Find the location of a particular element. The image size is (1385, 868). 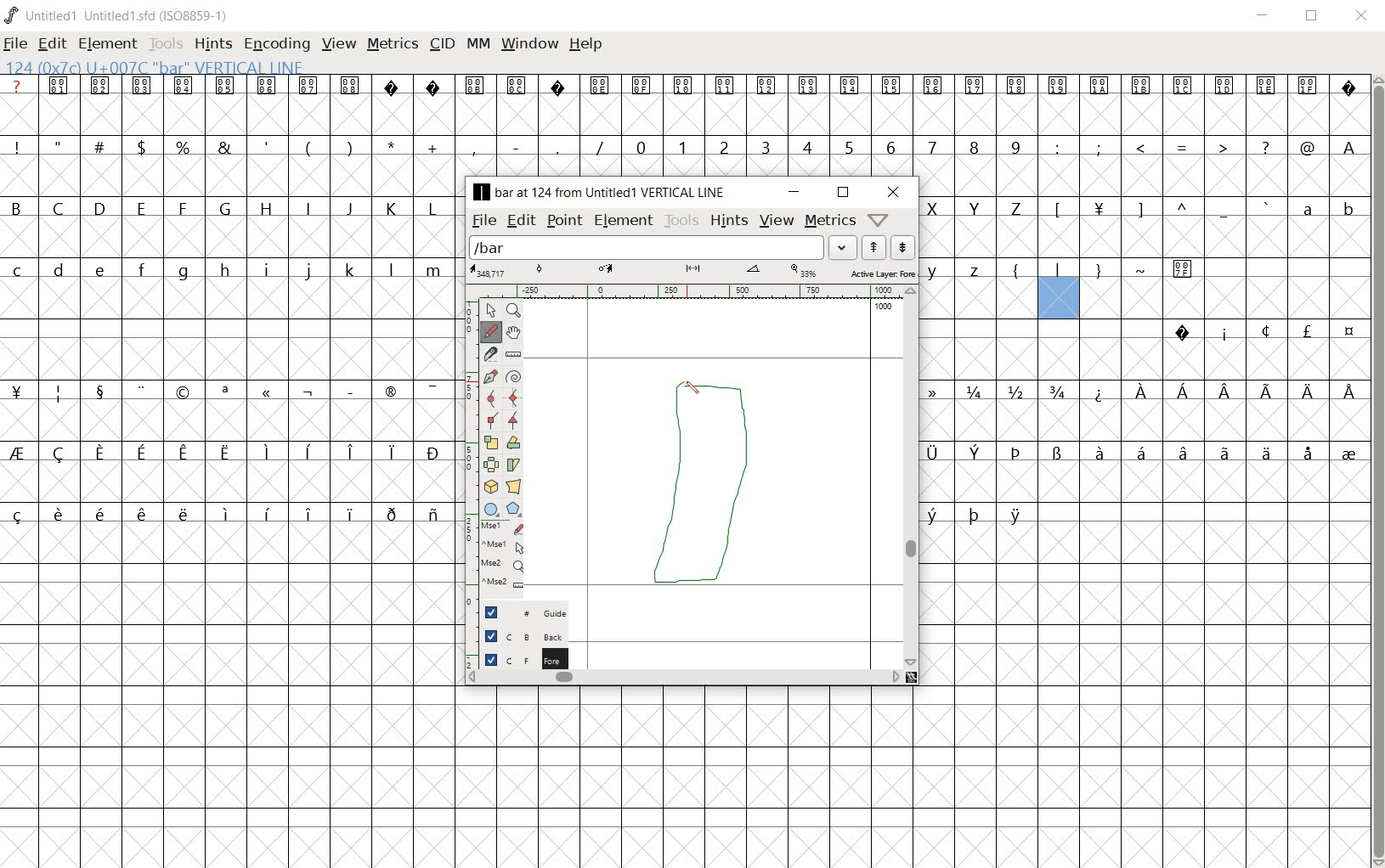

drop down menu is located at coordinates (843, 246).